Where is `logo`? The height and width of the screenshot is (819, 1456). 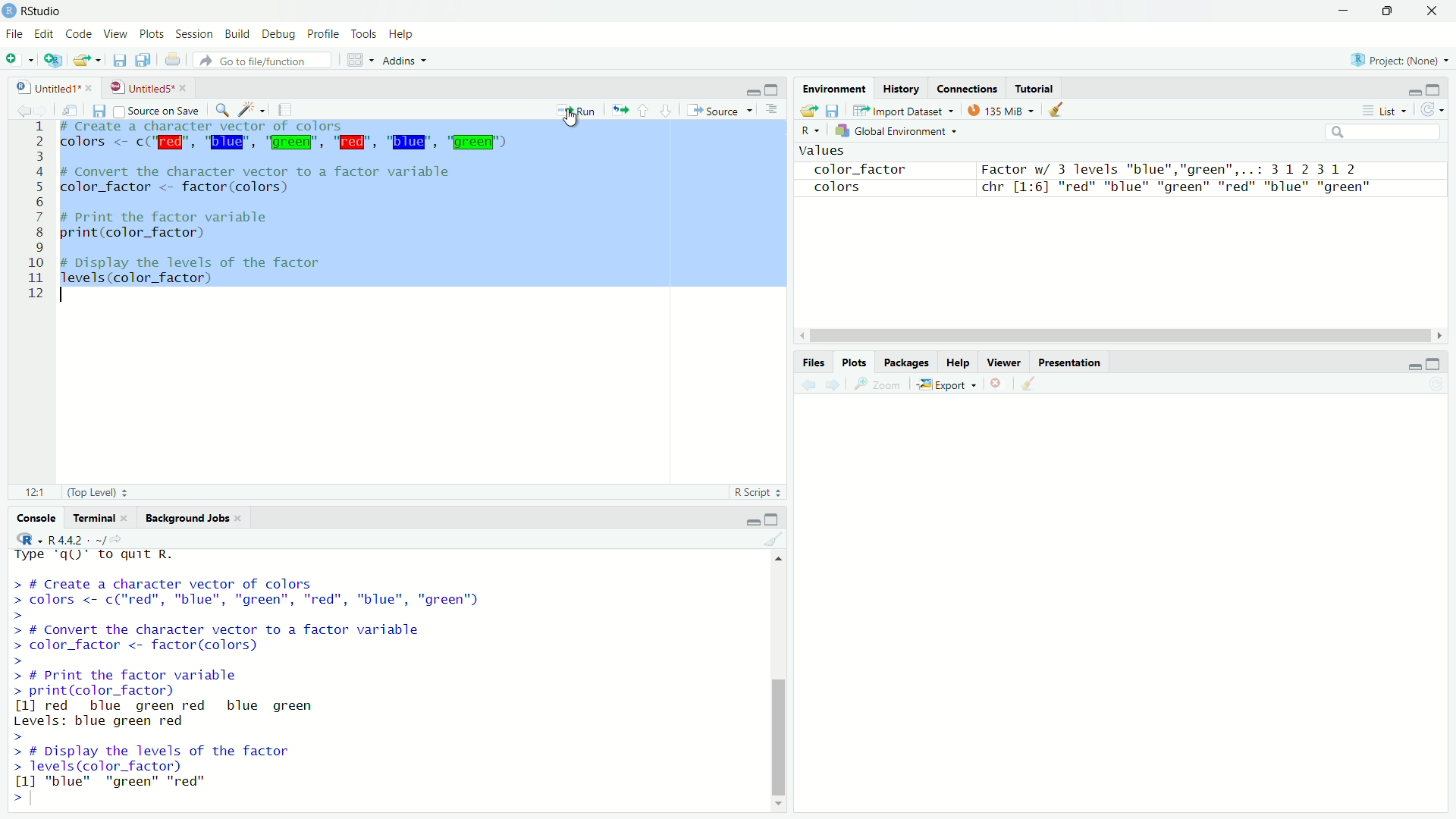 logo is located at coordinates (9, 11).